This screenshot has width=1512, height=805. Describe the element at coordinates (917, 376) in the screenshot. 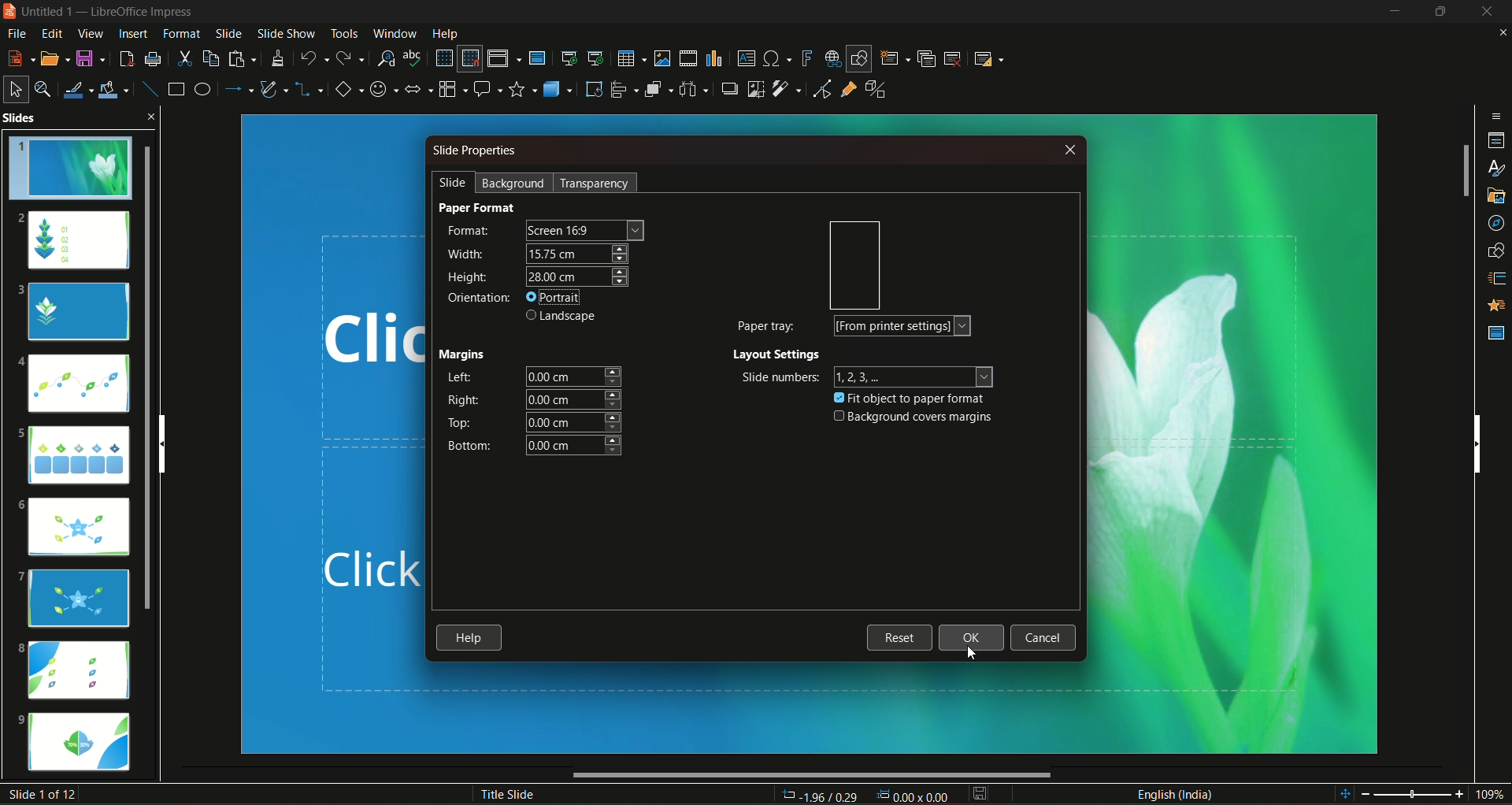

I see `numbers` at that location.